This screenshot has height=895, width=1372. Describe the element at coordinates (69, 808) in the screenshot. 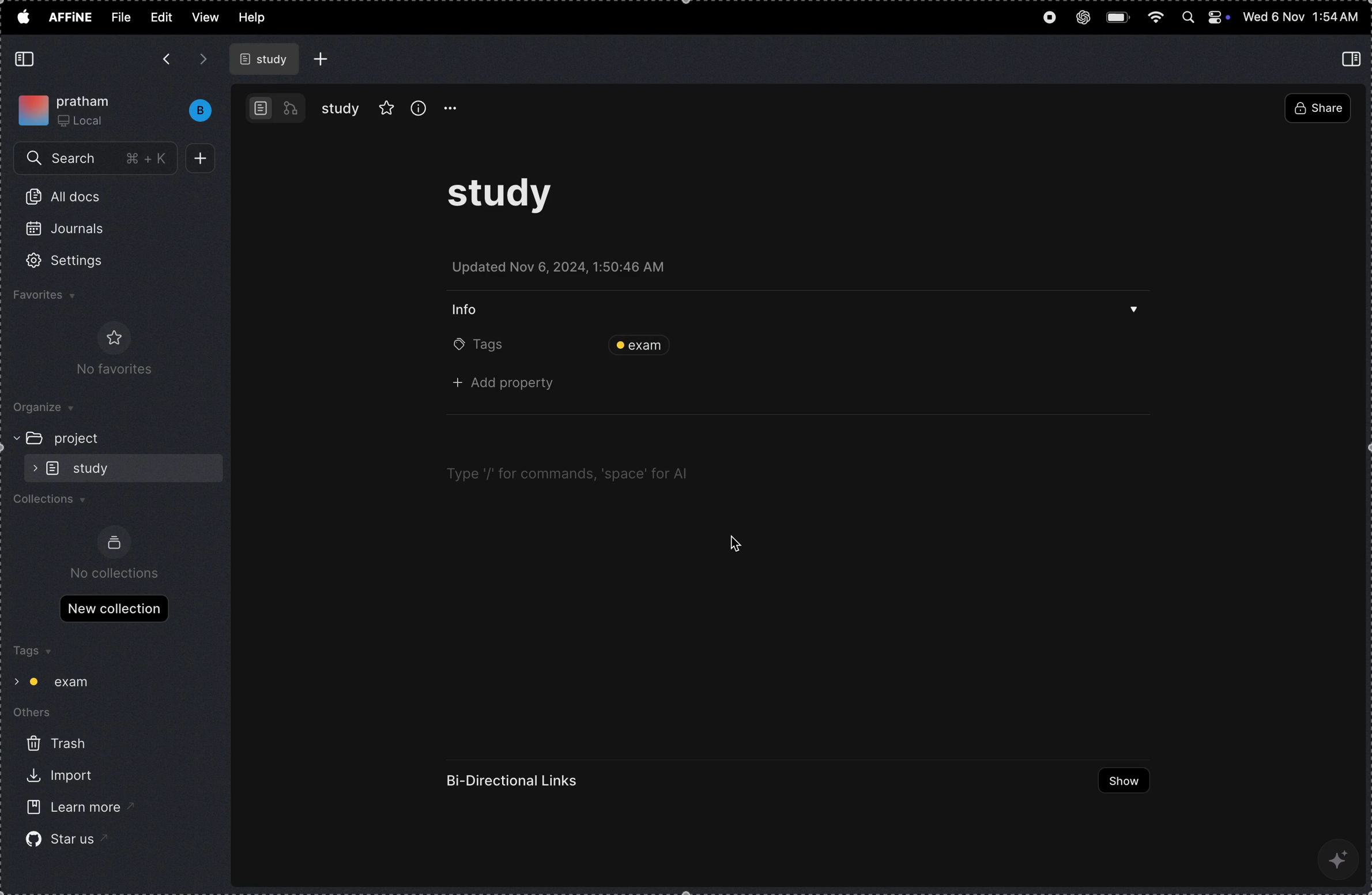

I see `learn more` at that location.